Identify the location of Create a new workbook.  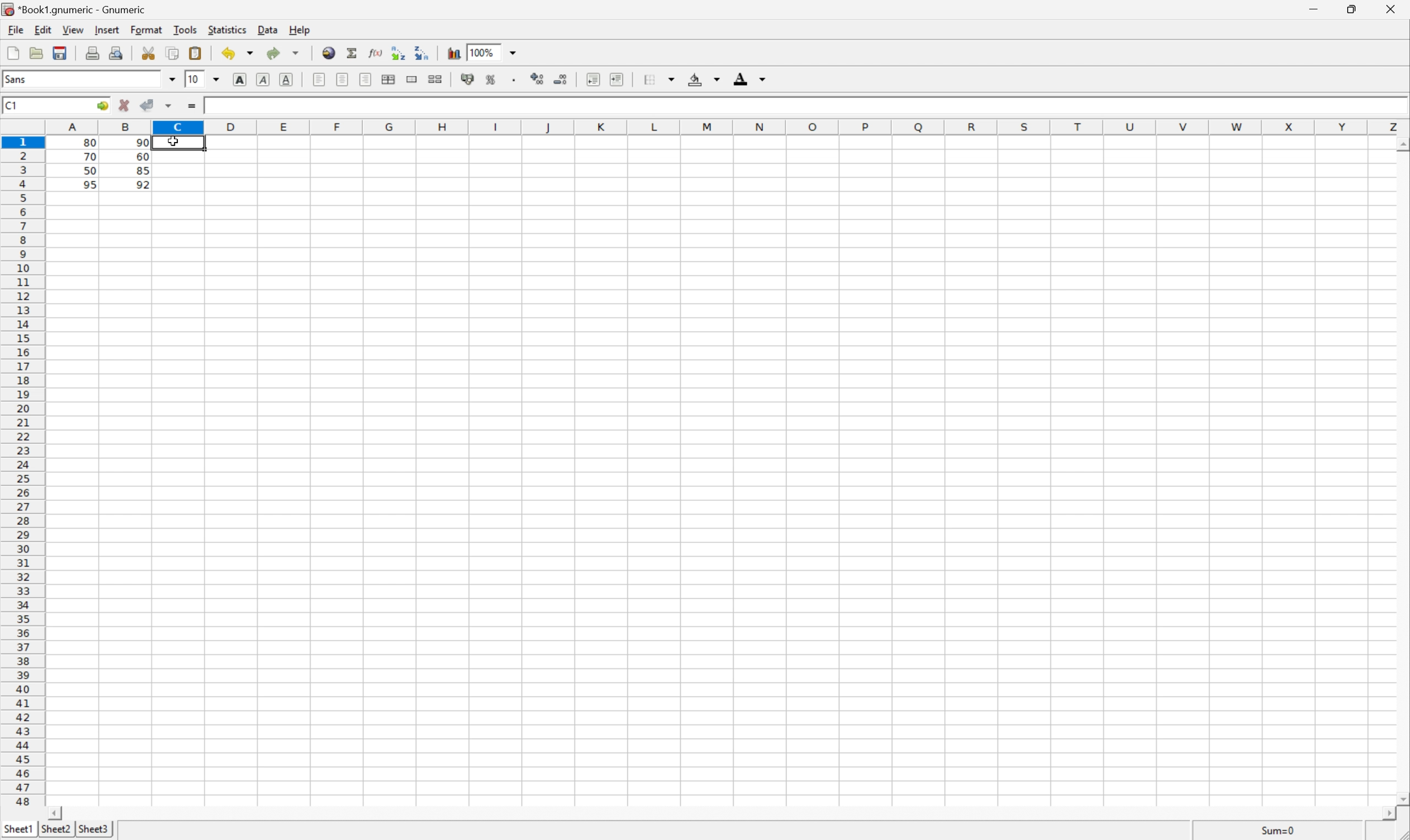
(12, 50).